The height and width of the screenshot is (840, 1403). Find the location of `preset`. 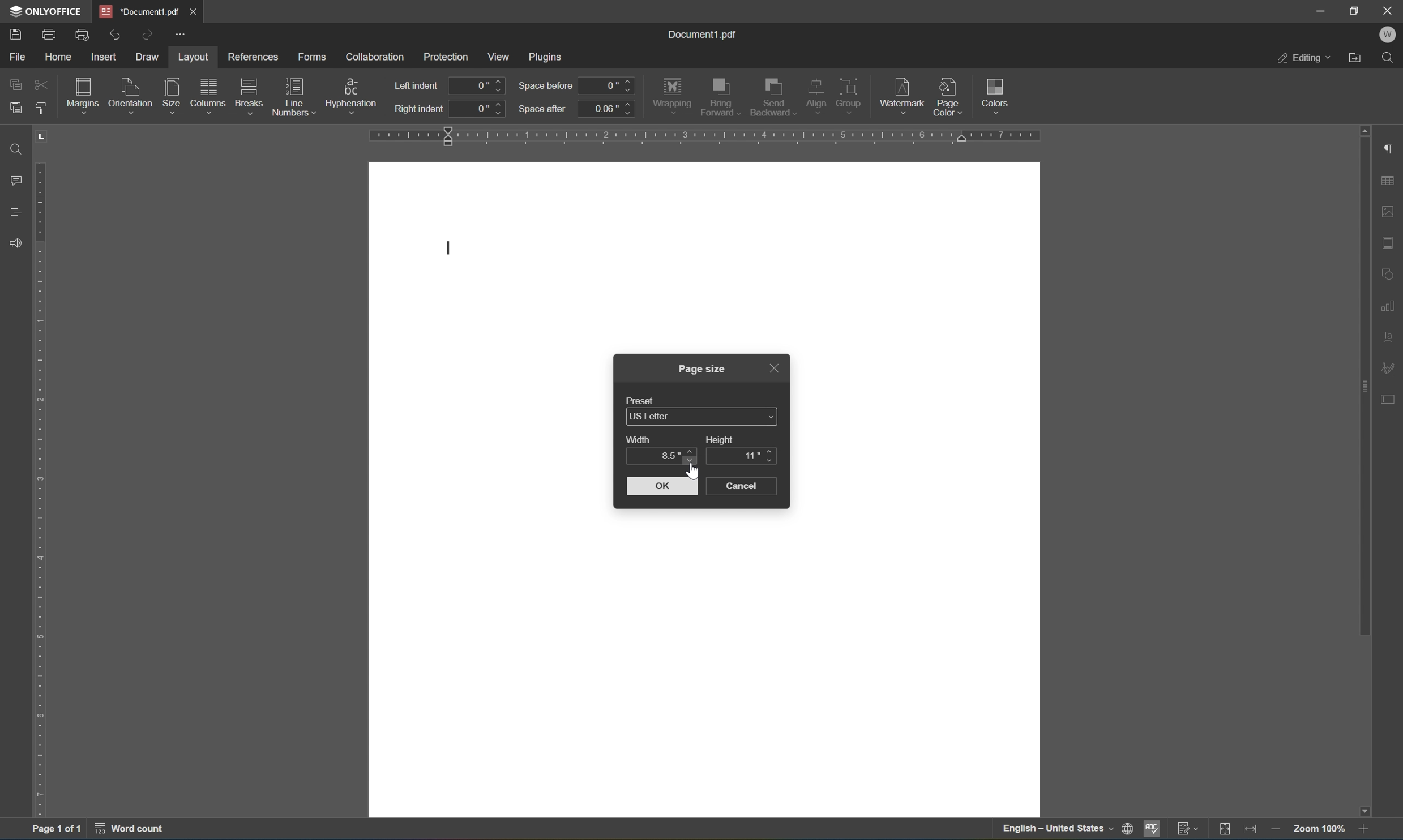

preset is located at coordinates (643, 398).